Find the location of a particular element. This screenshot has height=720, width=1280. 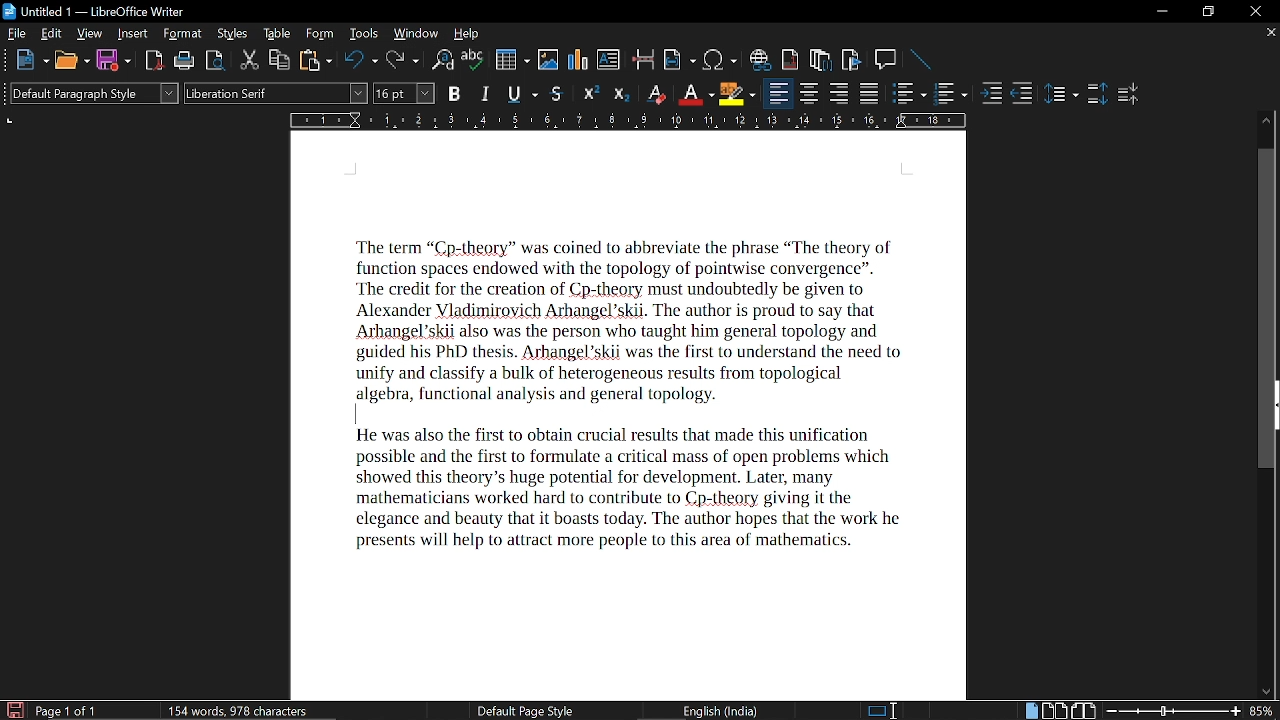

Move up is located at coordinates (1268, 118).